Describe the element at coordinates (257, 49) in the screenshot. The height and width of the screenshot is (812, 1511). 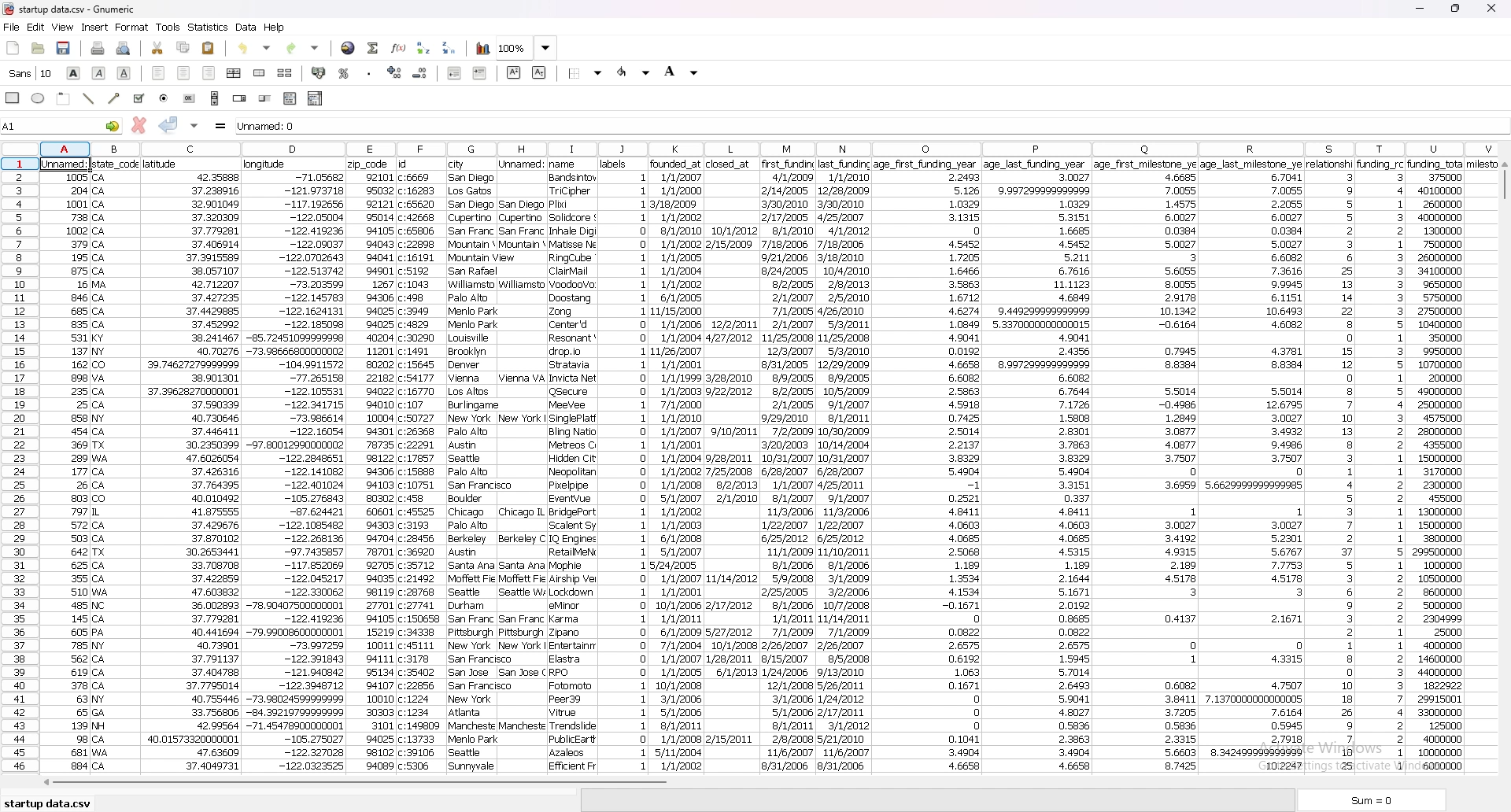
I see `undo` at that location.